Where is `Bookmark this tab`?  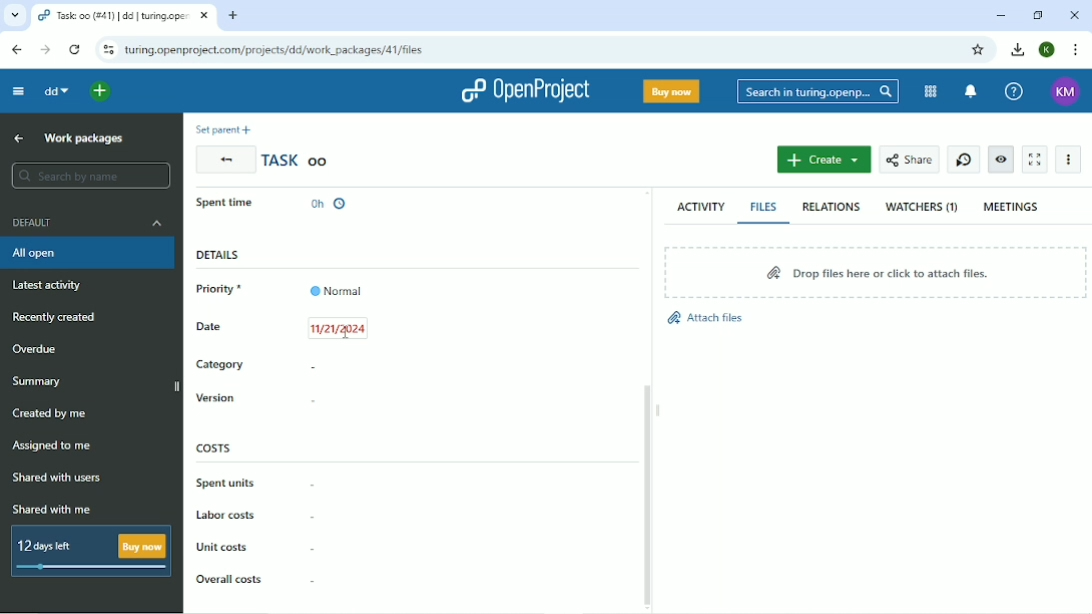 Bookmark this tab is located at coordinates (981, 50).